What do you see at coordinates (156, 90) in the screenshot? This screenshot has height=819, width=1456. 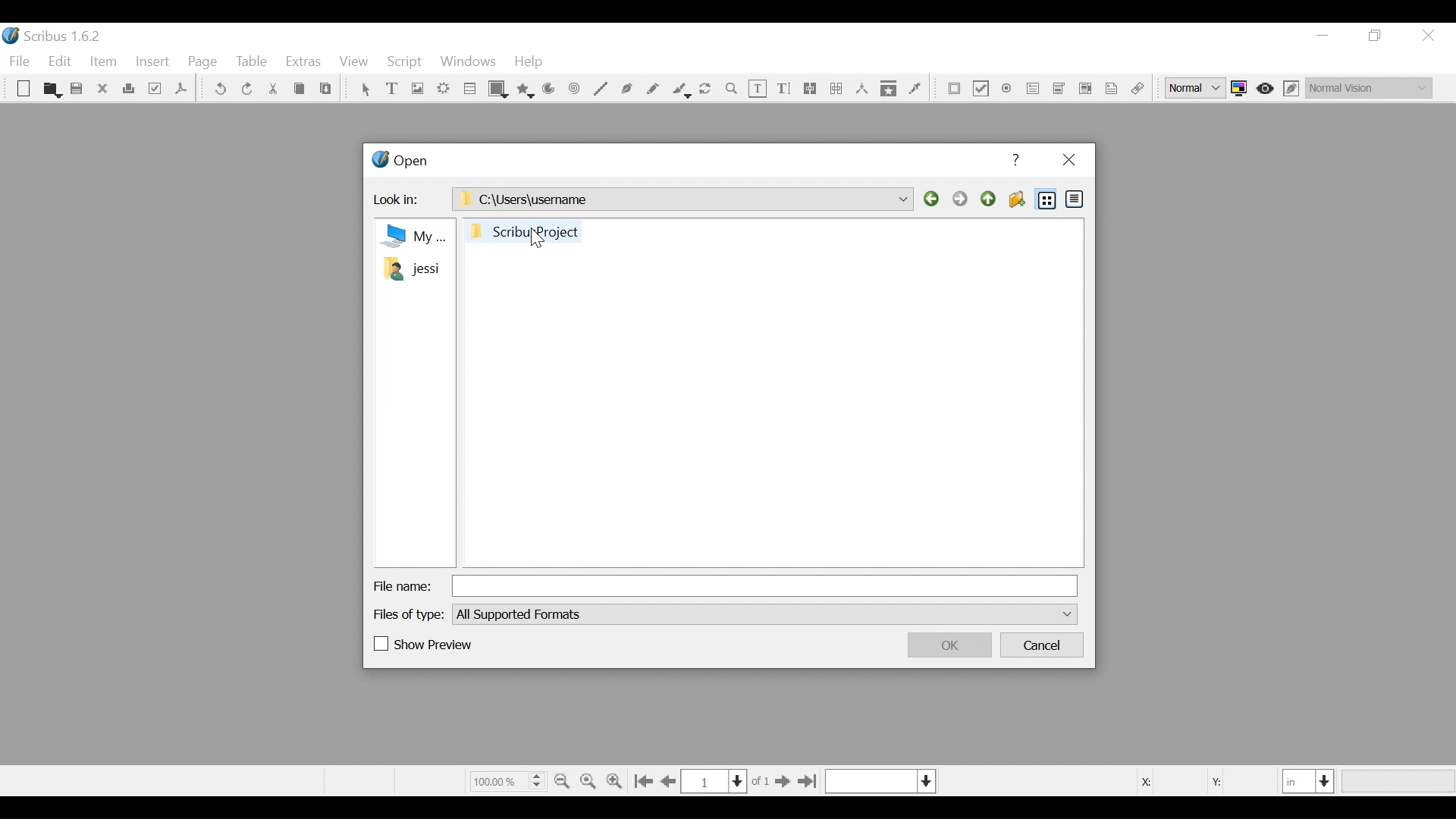 I see `Preflight Verifier` at bounding box center [156, 90].